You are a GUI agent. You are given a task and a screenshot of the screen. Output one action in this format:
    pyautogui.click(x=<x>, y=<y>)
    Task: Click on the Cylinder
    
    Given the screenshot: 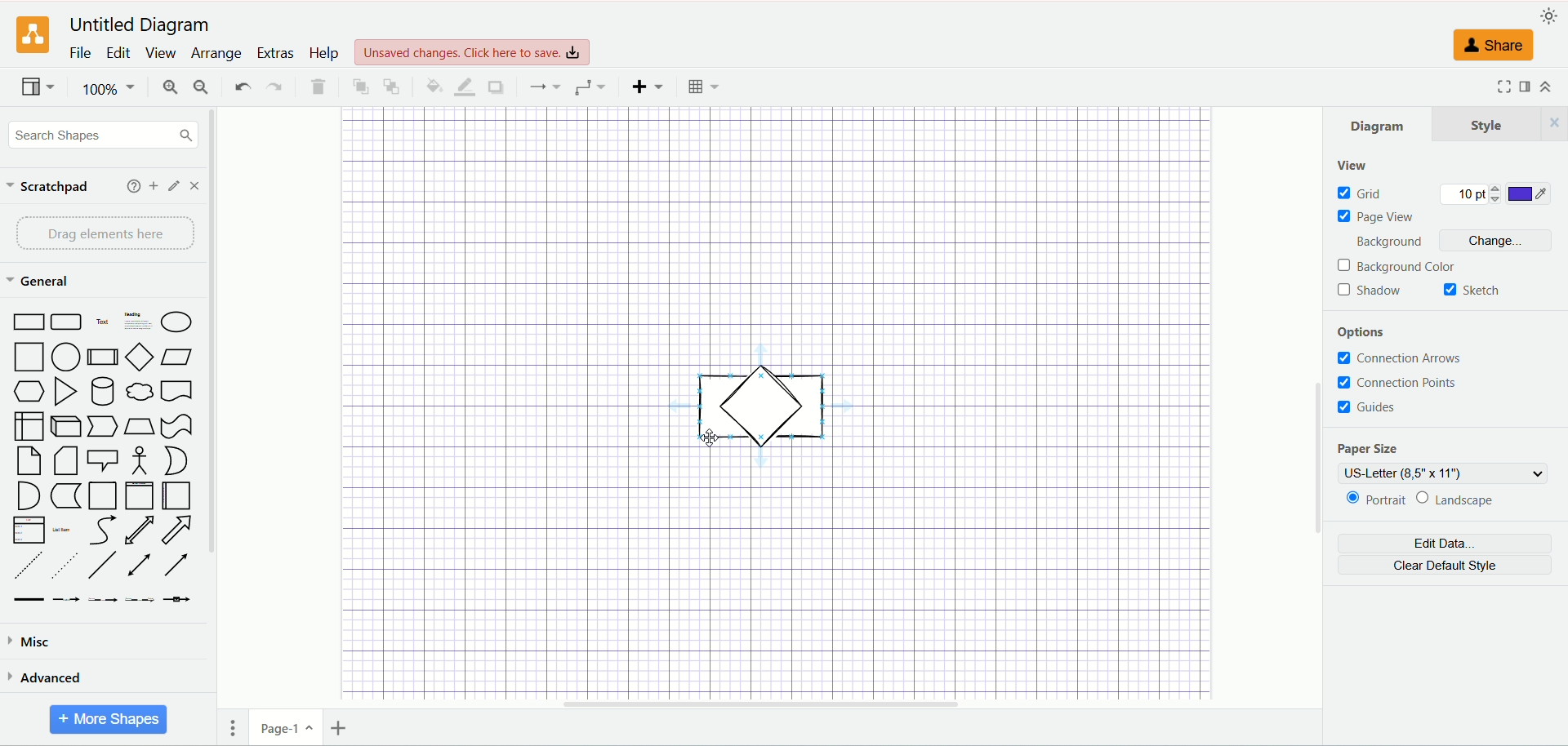 What is the action you would take?
    pyautogui.click(x=105, y=391)
    